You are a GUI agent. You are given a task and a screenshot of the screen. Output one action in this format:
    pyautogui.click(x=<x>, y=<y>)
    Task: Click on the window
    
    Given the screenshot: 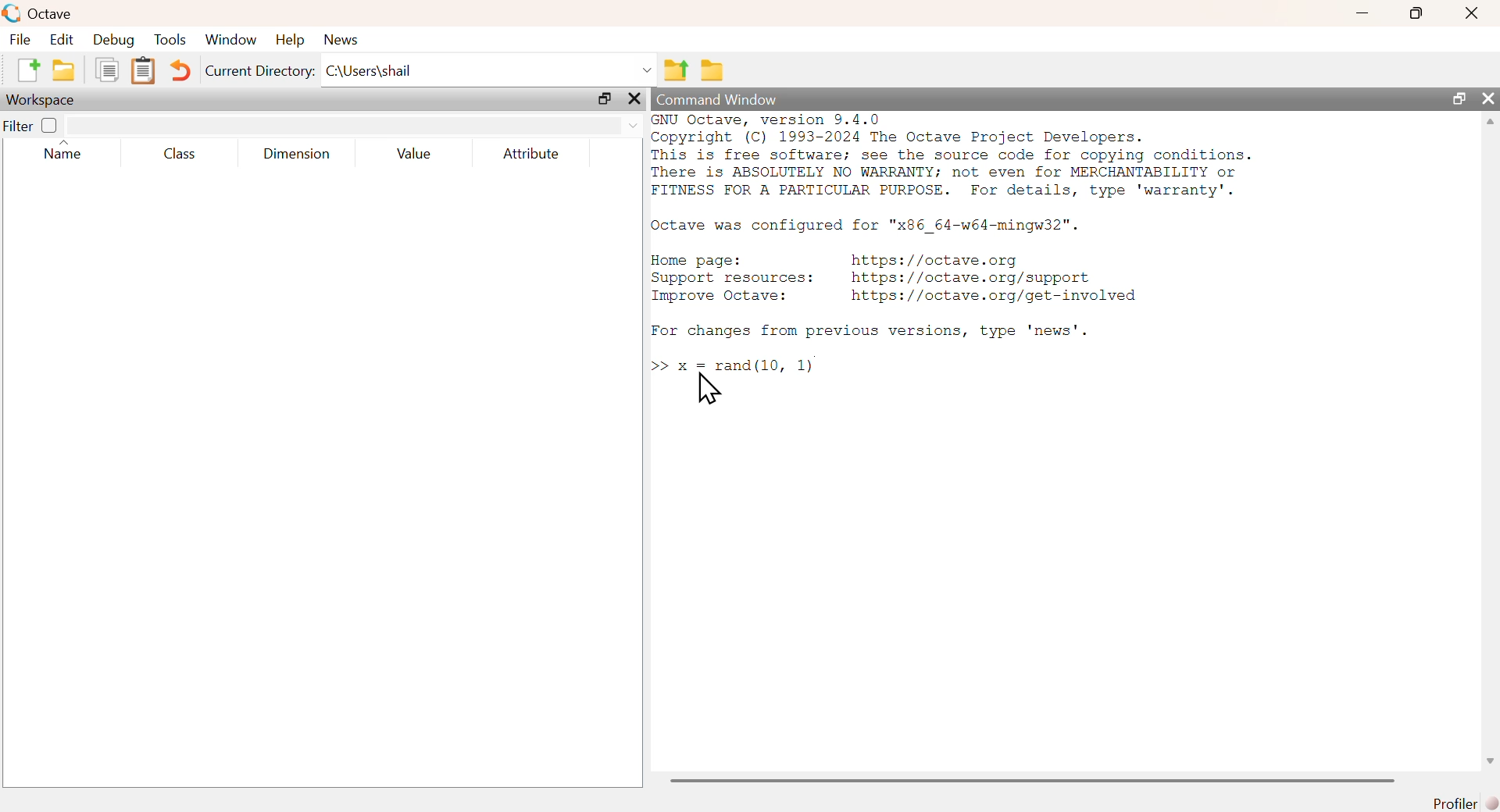 What is the action you would take?
    pyautogui.click(x=232, y=40)
    